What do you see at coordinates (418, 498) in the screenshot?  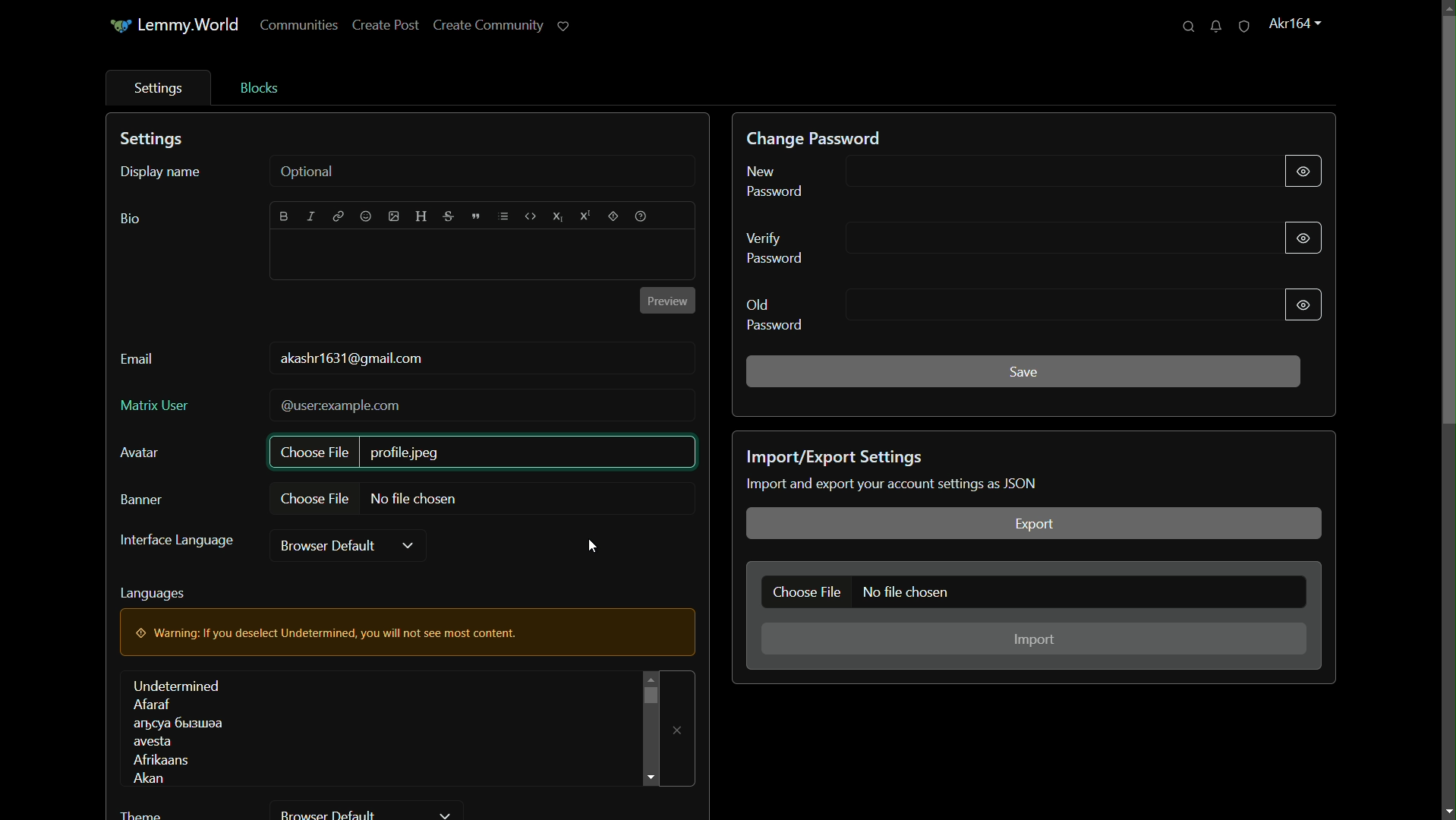 I see `no file chosen` at bounding box center [418, 498].